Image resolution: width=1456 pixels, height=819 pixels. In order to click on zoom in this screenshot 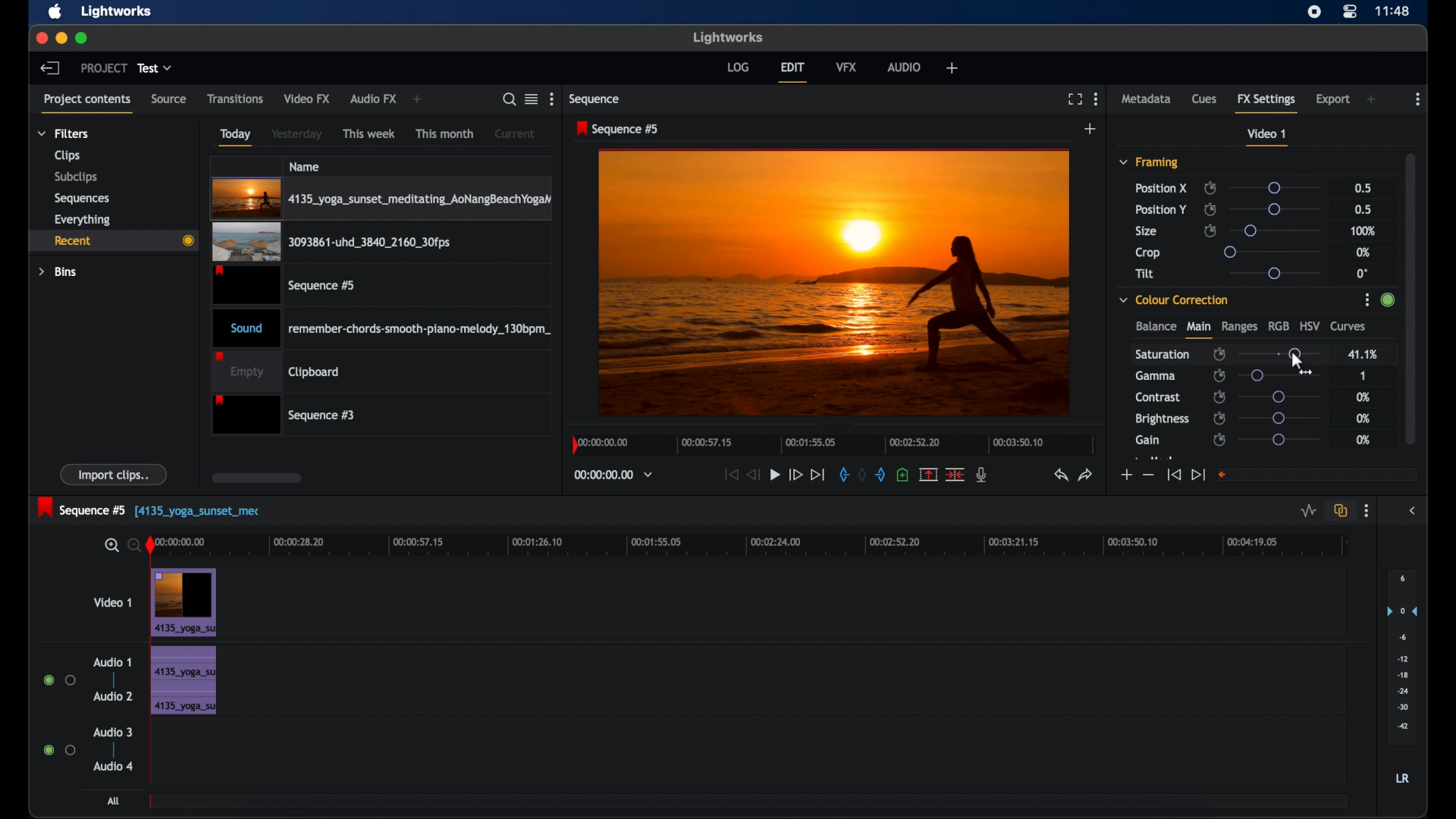, I will do `click(120, 544)`.